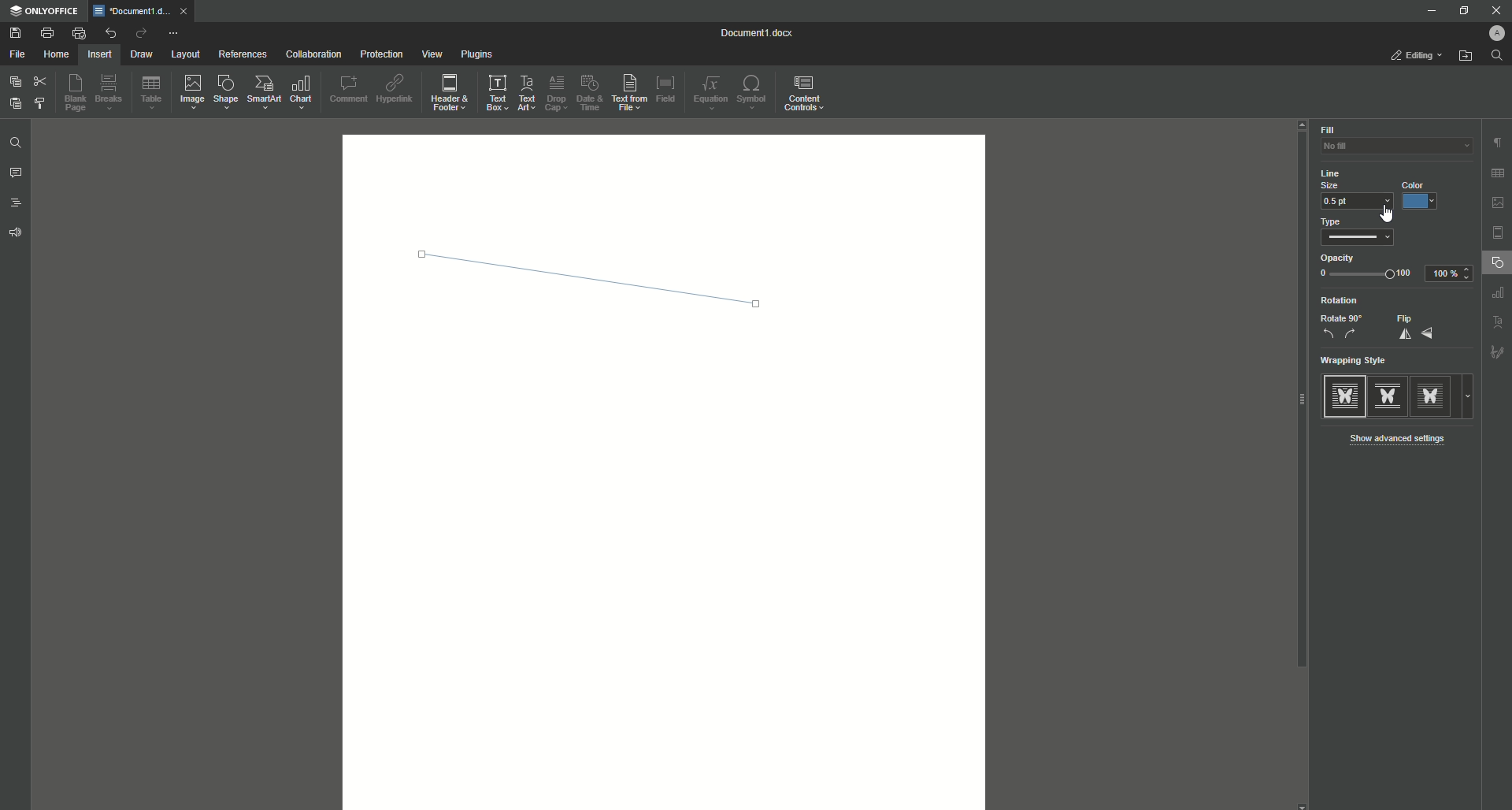 This screenshot has height=810, width=1512. What do you see at coordinates (1497, 10) in the screenshot?
I see `Close` at bounding box center [1497, 10].